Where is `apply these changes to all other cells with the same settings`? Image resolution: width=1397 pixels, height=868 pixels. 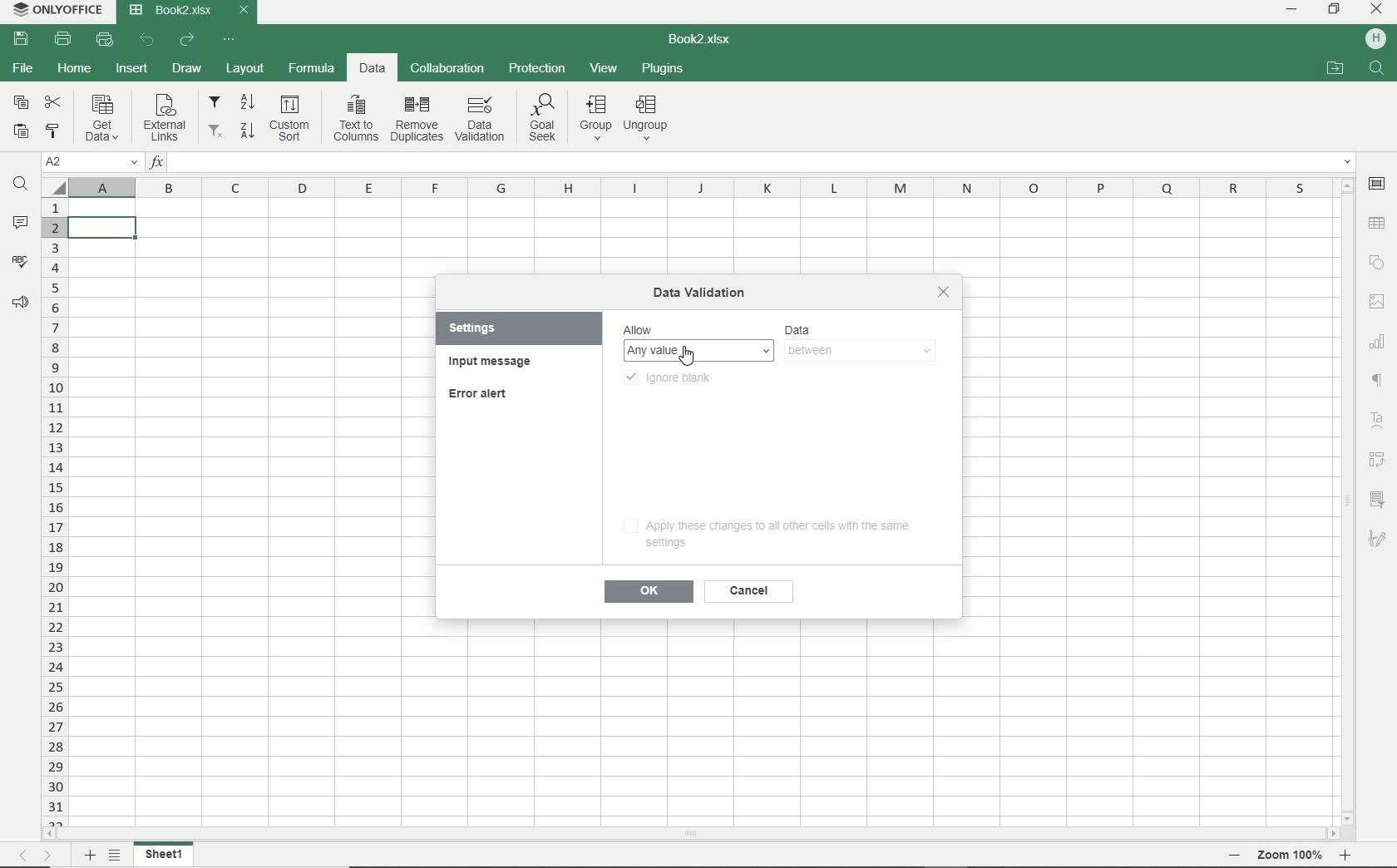
apply these changes to all other cells with the same settings is located at coordinates (766, 532).